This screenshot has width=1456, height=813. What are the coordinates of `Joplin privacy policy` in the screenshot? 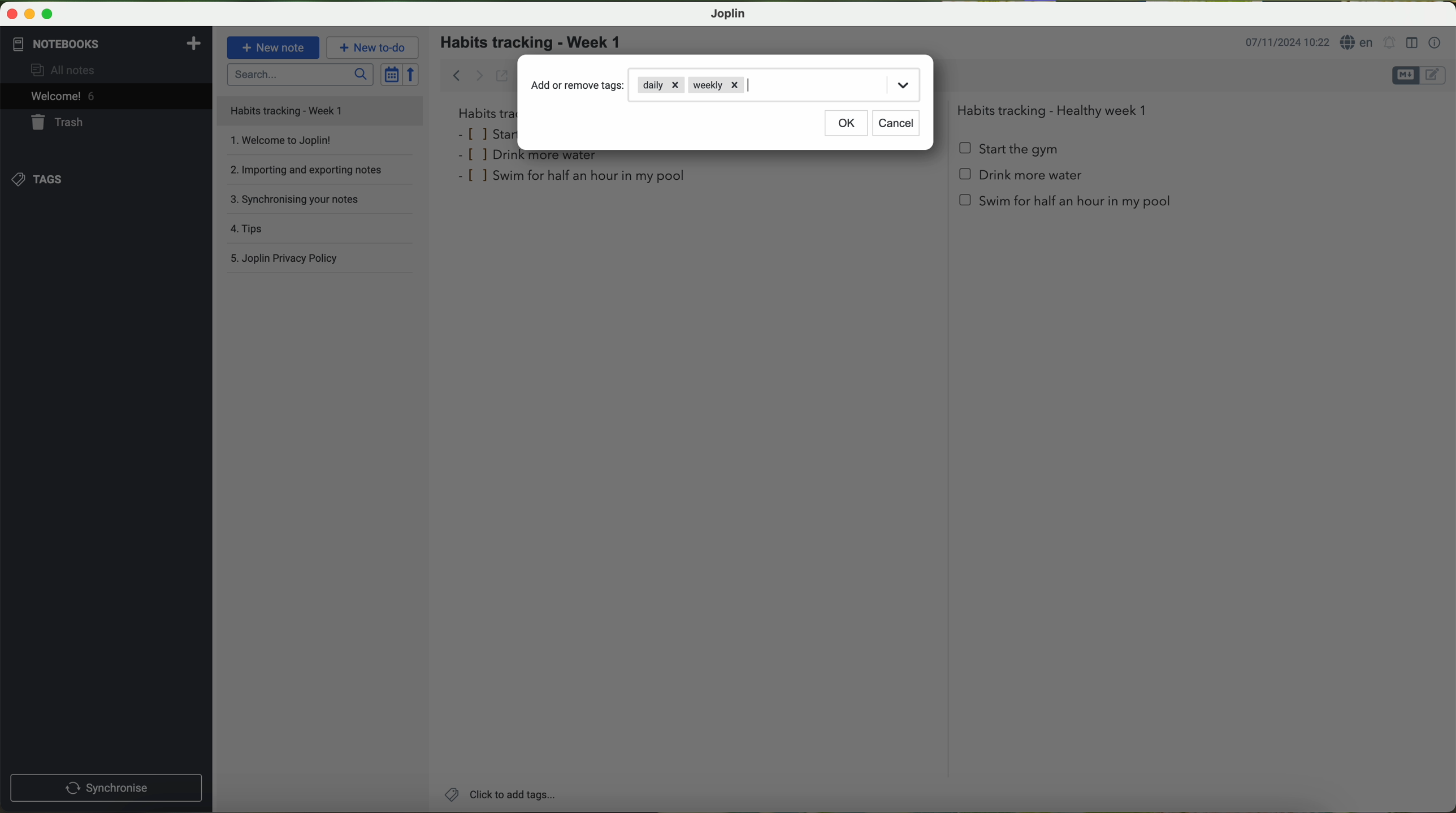 It's located at (321, 260).